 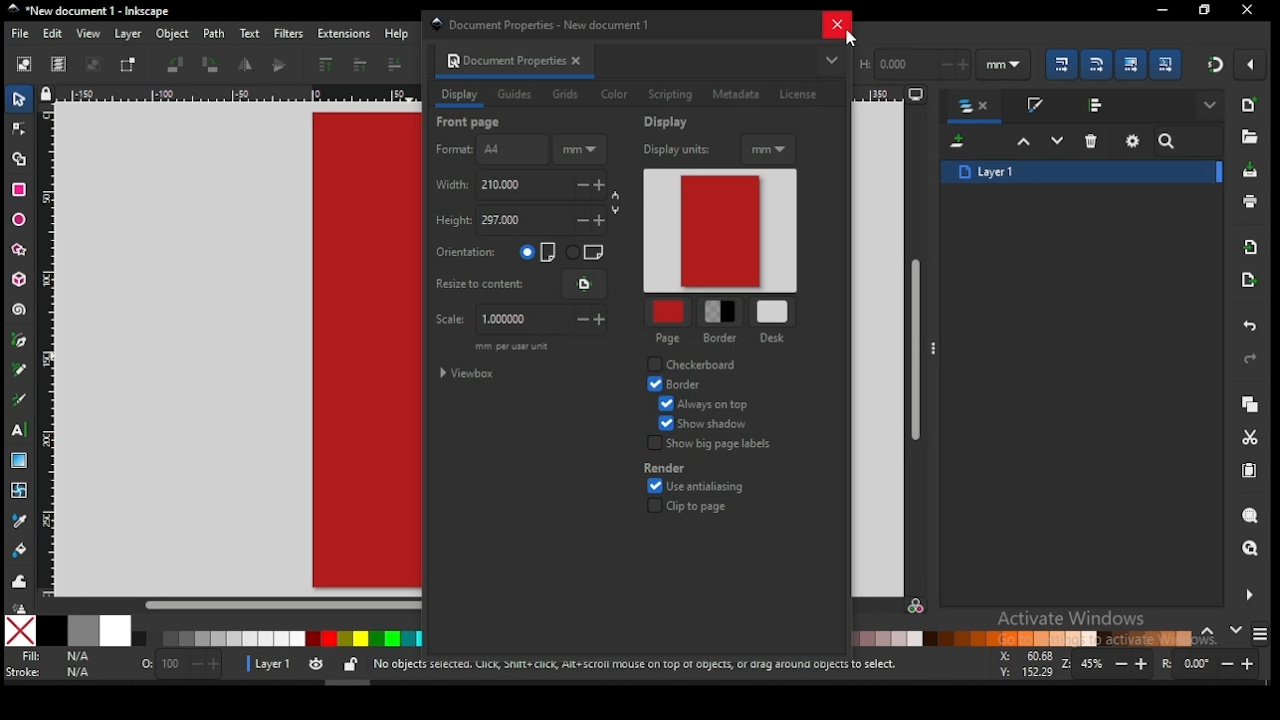 I want to click on select, so click(x=21, y=98).